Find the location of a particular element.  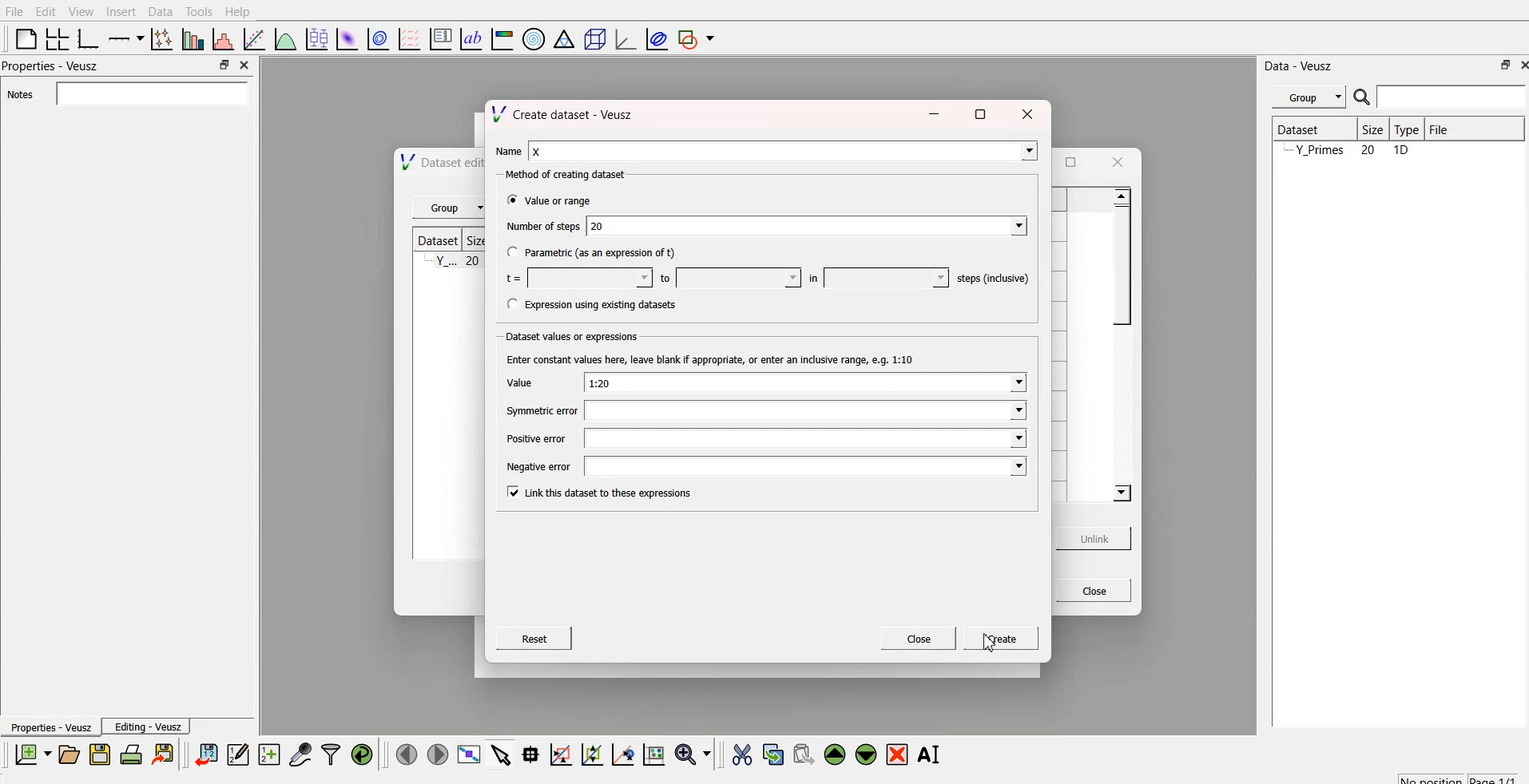

‘Group is located at coordinates (443, 206).